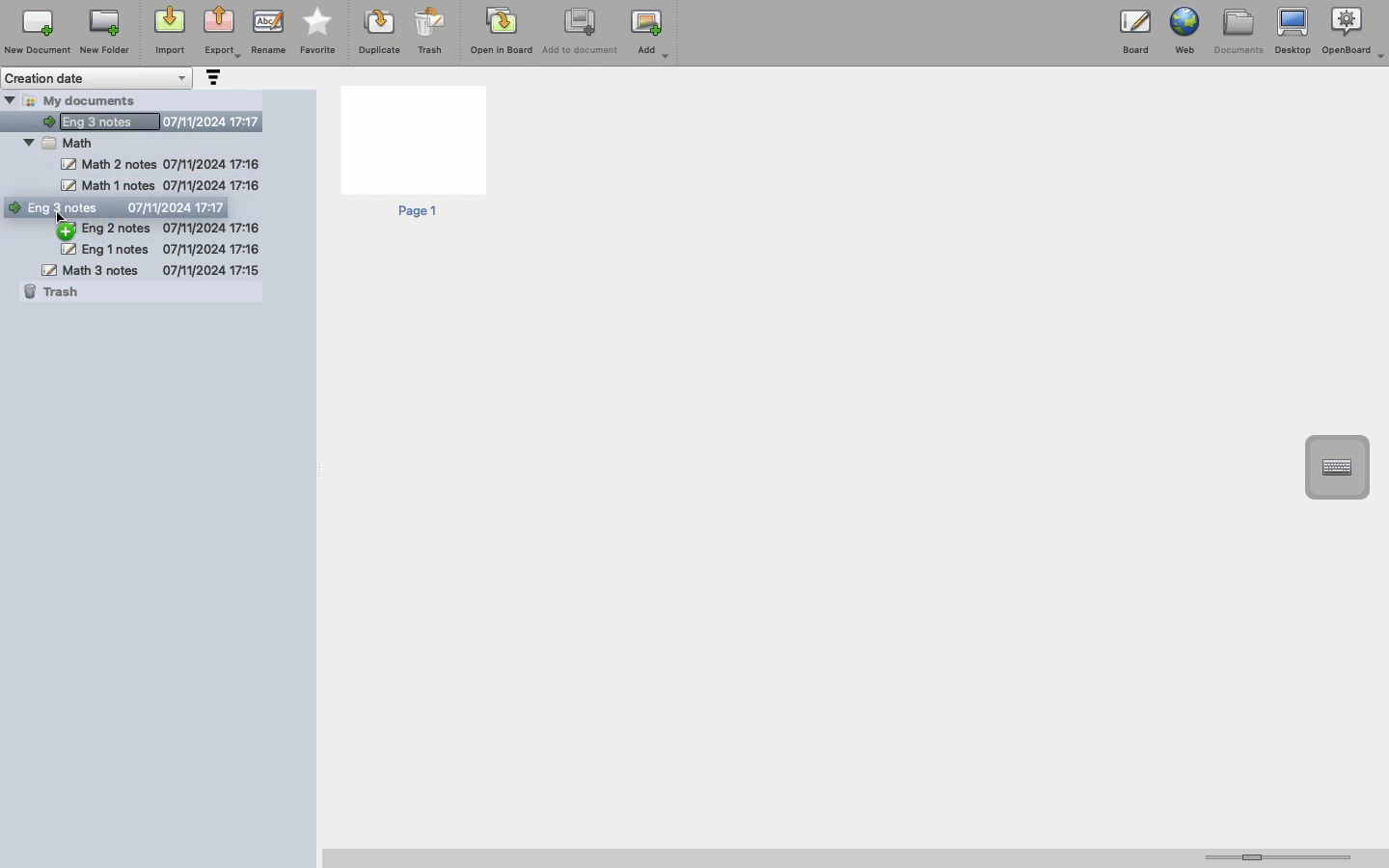 This screenshot has width=1389, height=868. Describe the element at coordinates (150, 269) in the screenshot. I see `Math 3 notes` at that location.